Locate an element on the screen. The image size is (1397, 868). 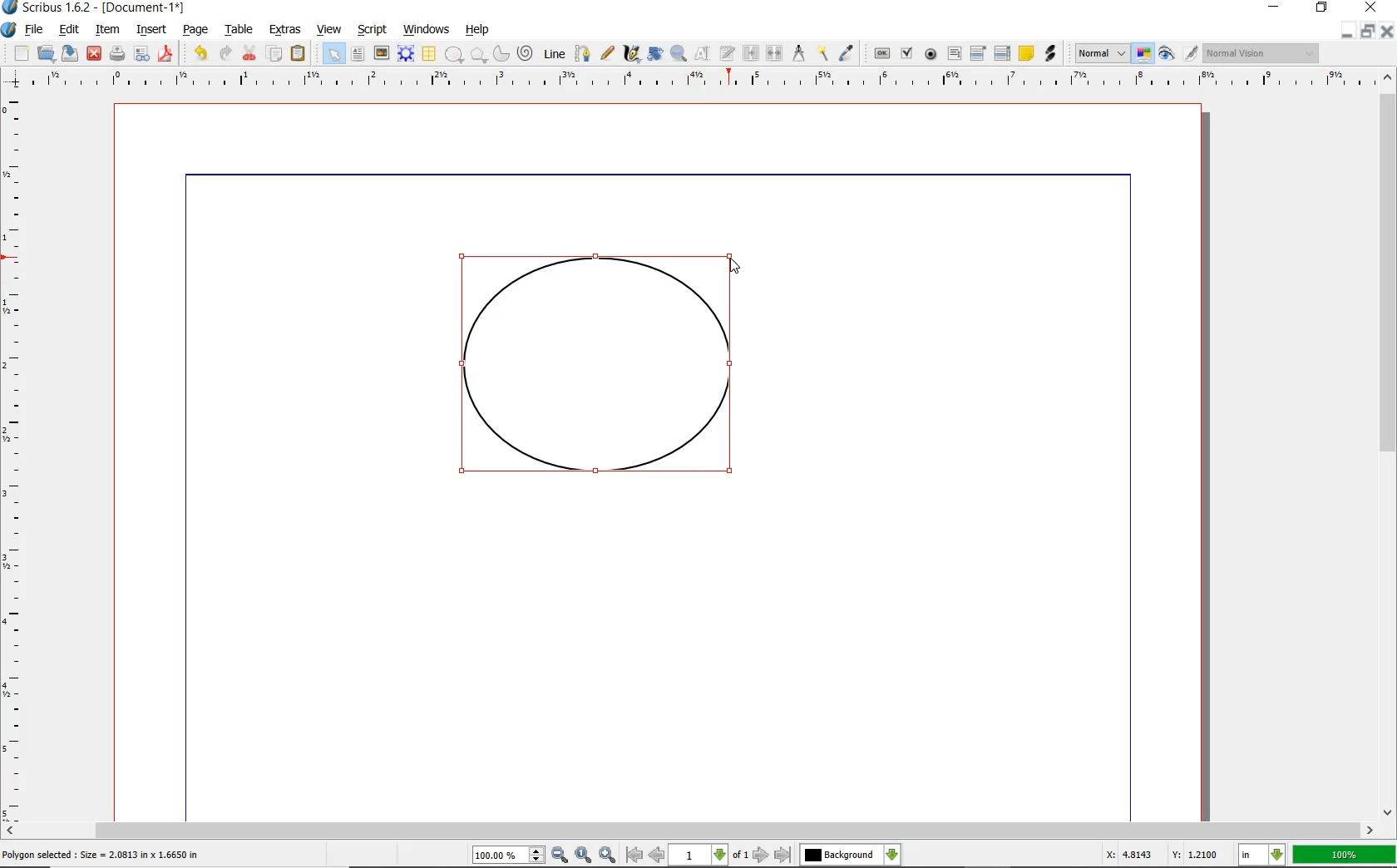
COPY is located at coordinates (276, 54).